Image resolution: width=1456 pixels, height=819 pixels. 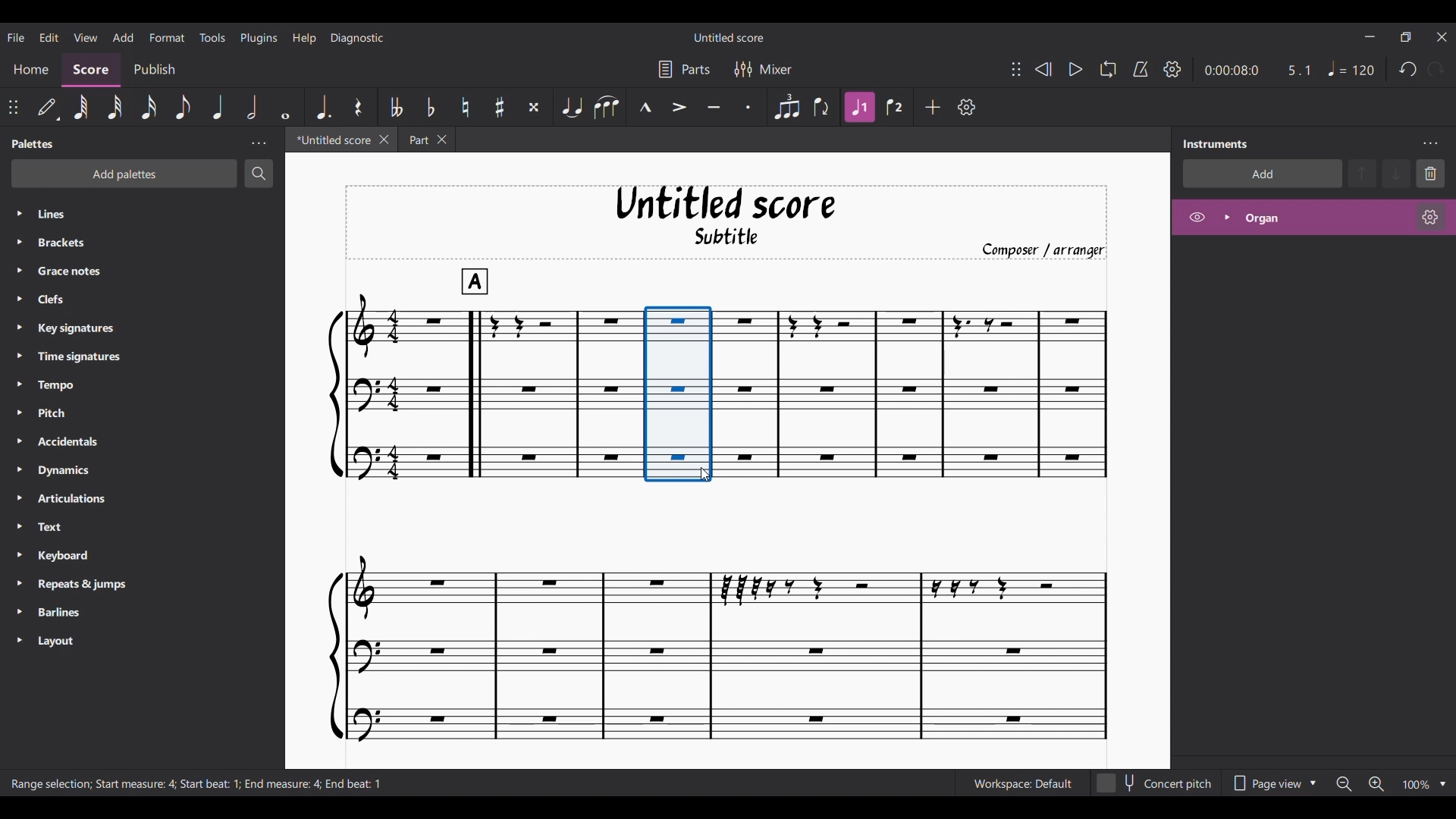 What do you see at coordinates (1172, 69) in the screenshot?
I see `Playback settings` at bounding box center [1172, 69].